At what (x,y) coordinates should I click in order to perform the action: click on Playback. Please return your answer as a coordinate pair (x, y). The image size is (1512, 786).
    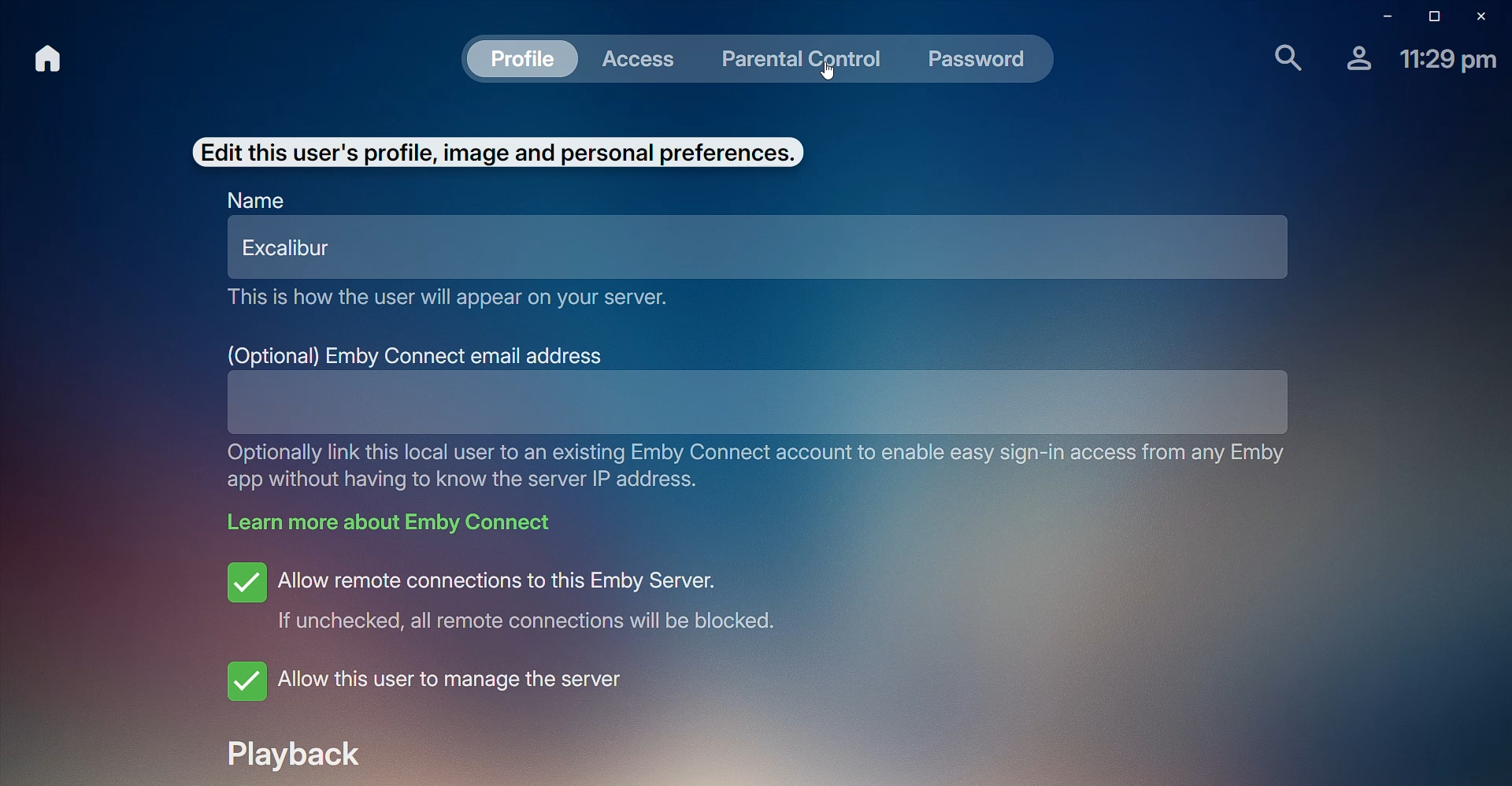
    Looking at the image, I should click on (302, 757).